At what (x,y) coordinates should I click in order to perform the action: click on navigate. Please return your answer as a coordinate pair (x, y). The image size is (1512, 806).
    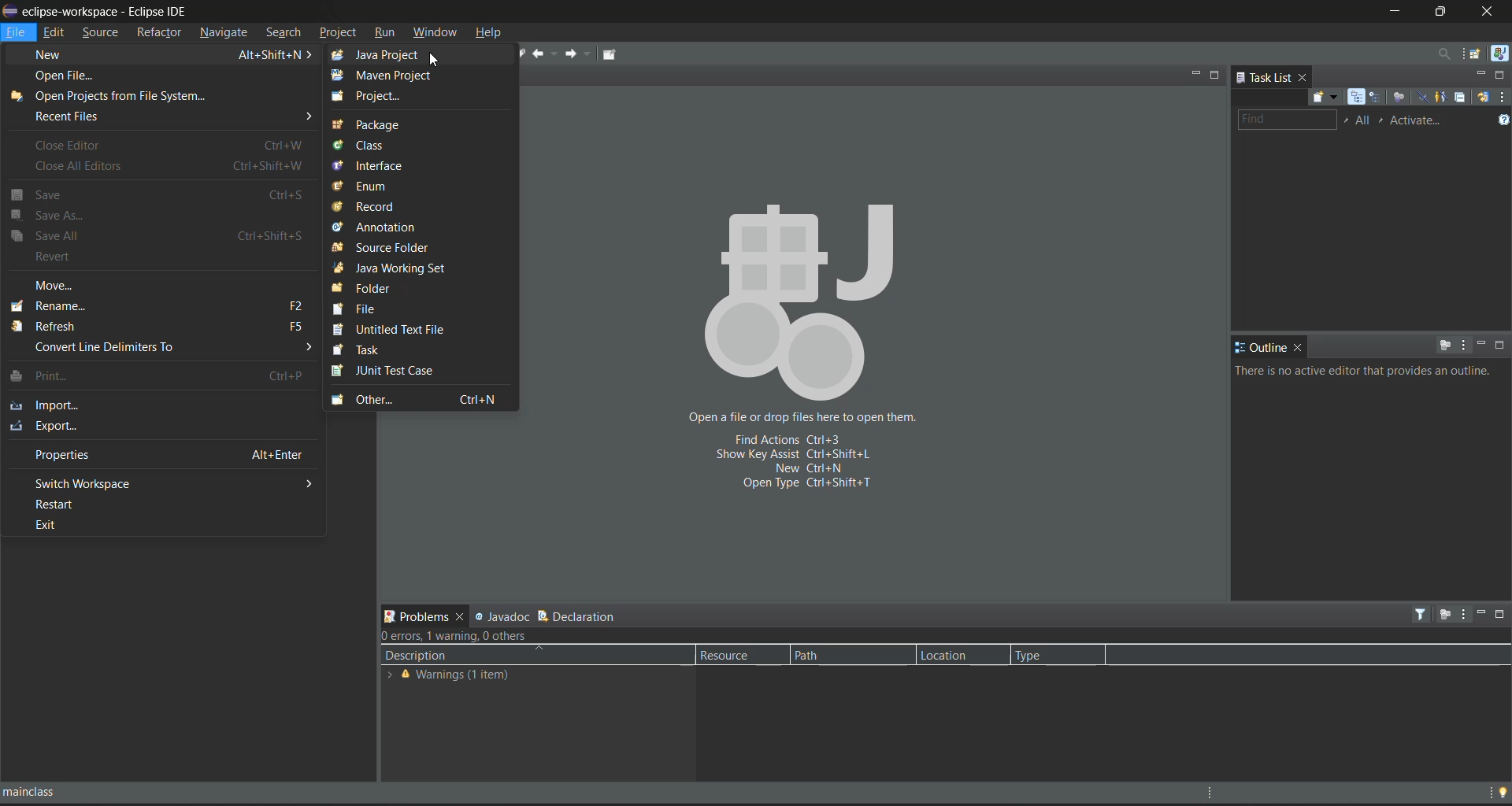
    Looking at the image, I should click on (222, 32).